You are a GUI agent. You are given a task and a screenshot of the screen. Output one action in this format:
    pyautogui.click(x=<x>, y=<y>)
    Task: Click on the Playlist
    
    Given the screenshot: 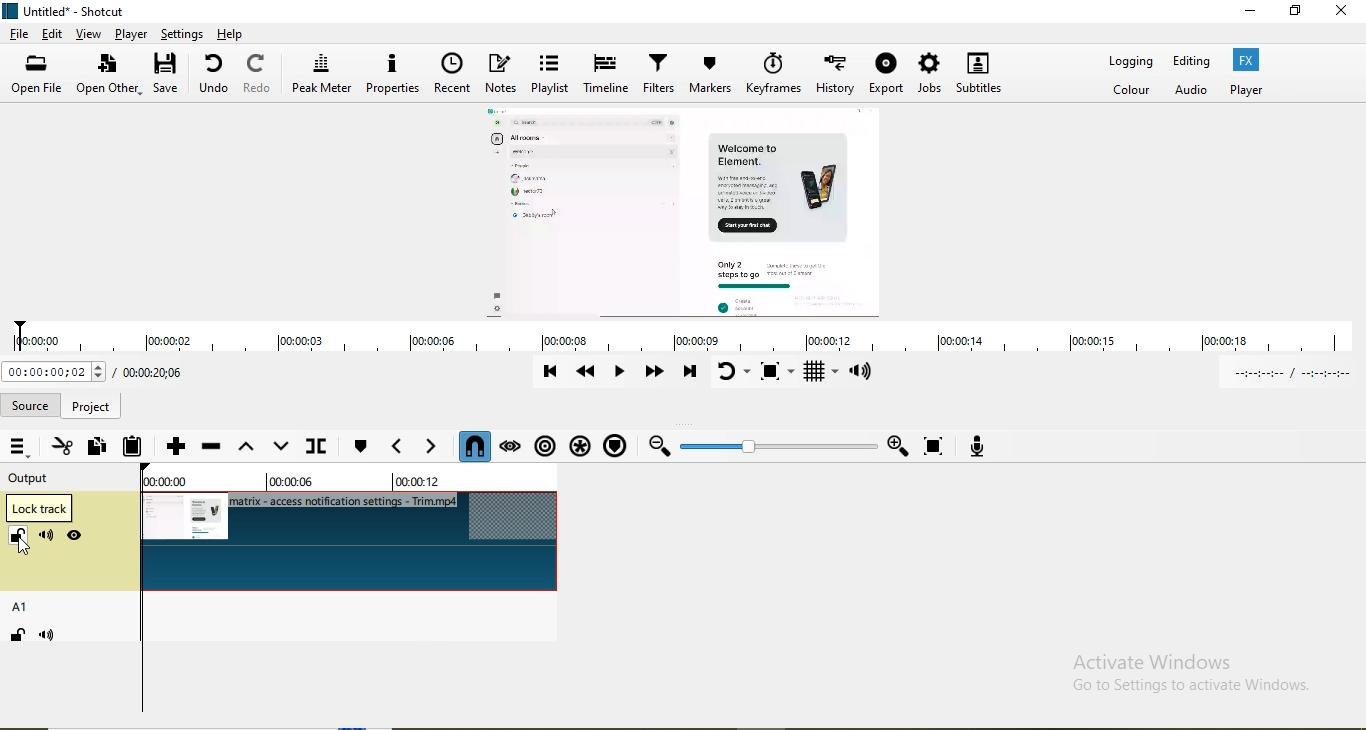 What is the action you would take?
    pyautogui.click(x=550, y=77)
    